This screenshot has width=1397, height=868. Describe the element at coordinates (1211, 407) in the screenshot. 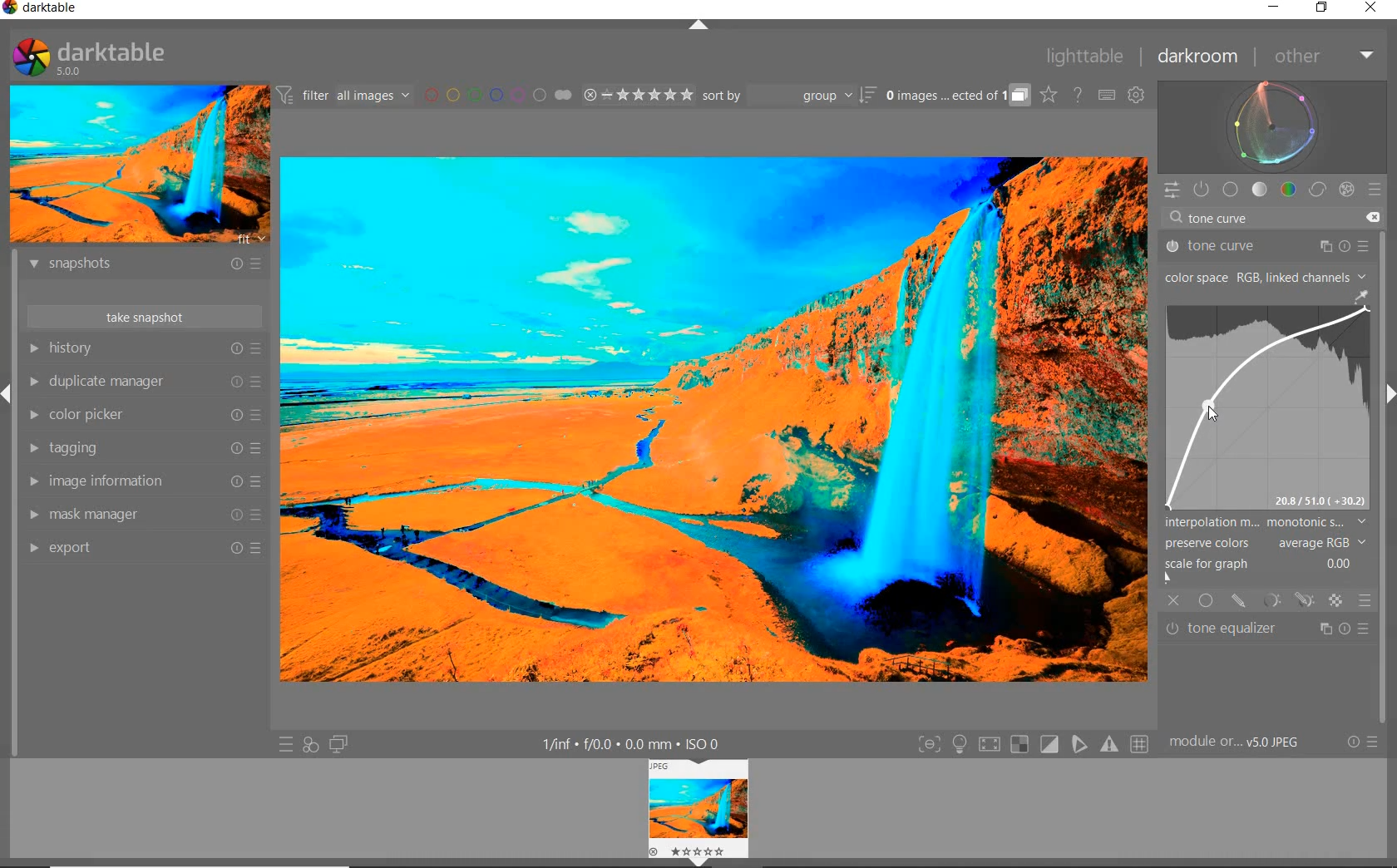

I see `CURSOR` at that location.